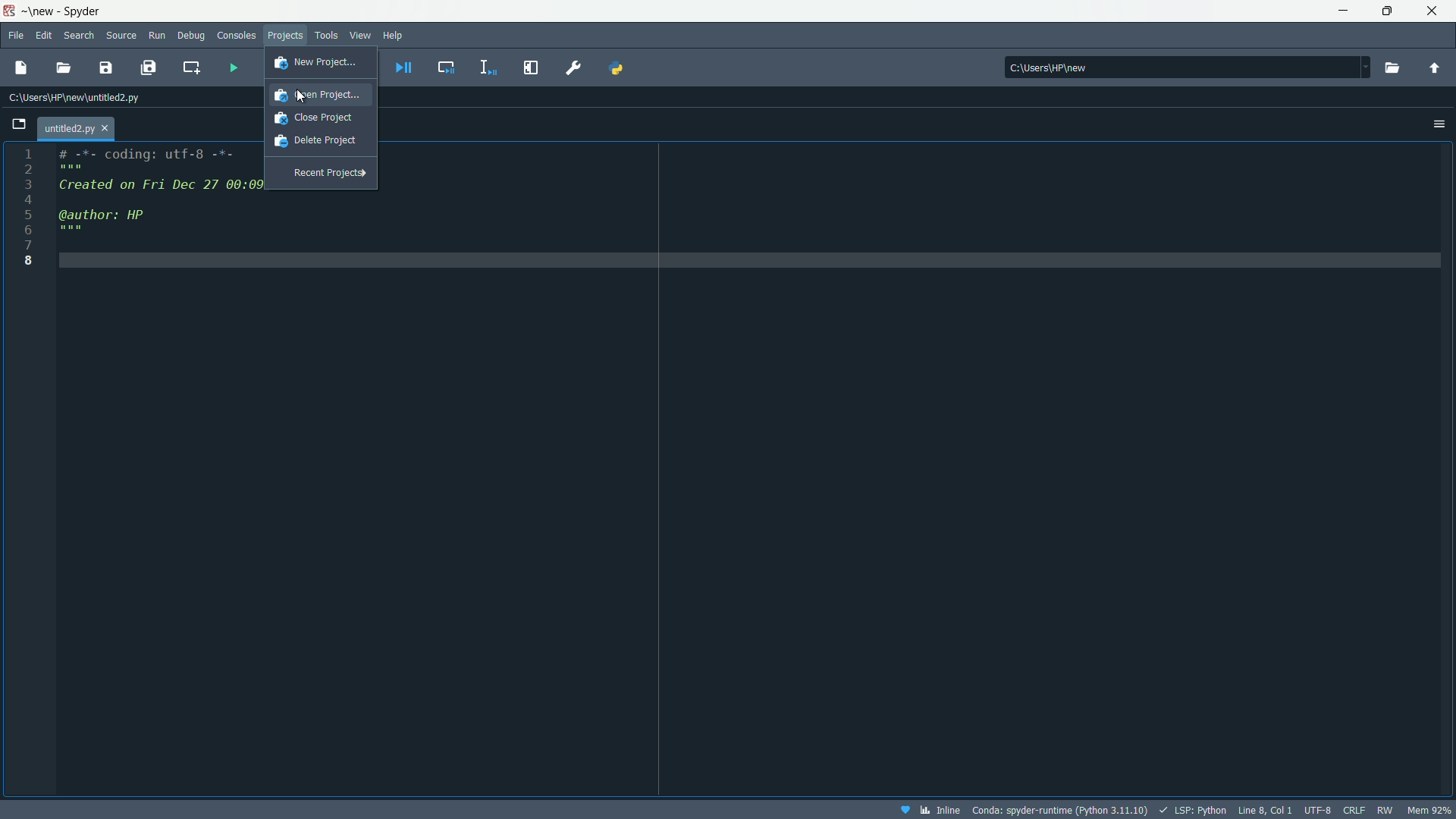  What do you see at coordinates (356, 36) in the screenshot?
I see `View` at bounding box center [356, 36].